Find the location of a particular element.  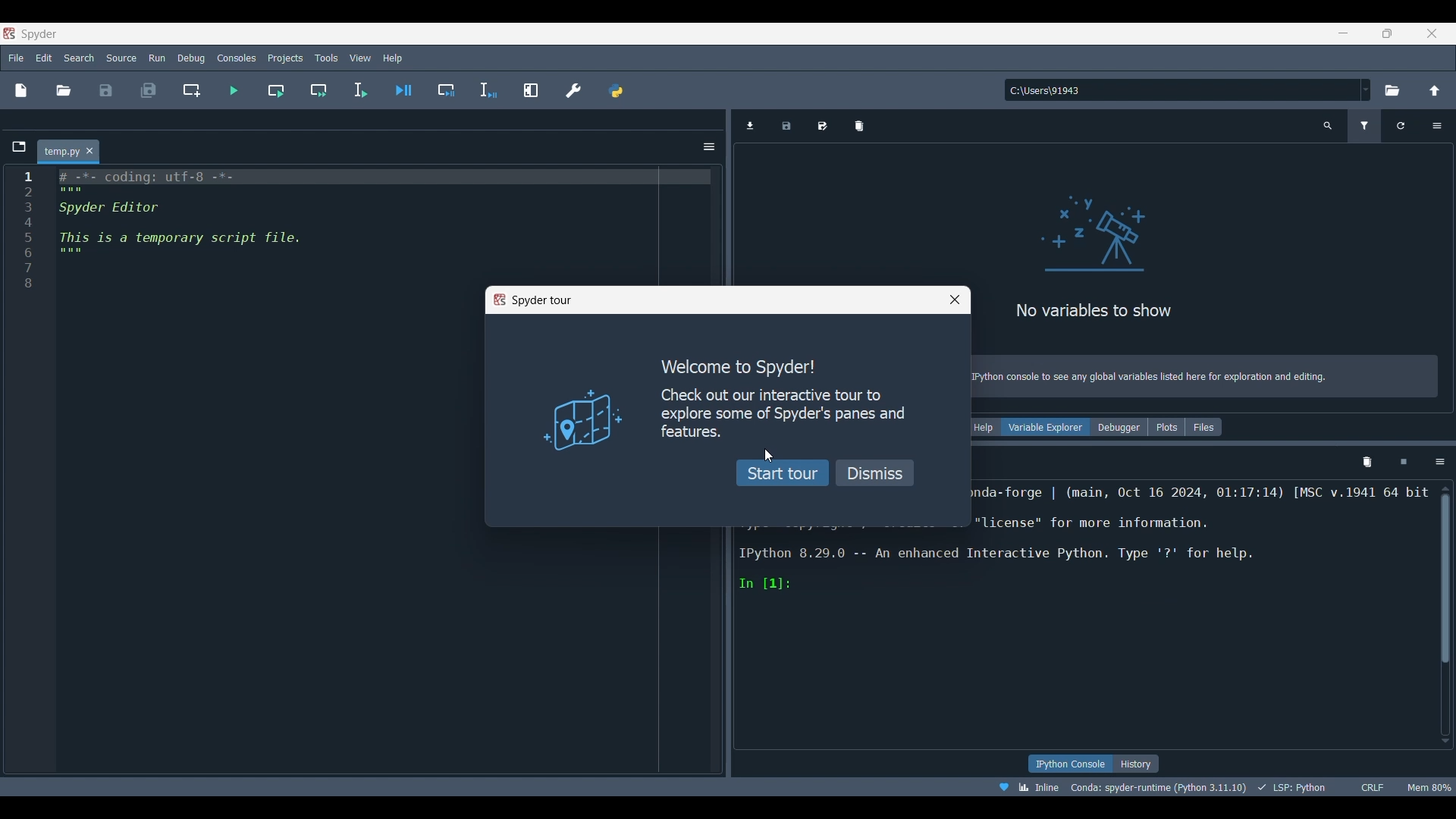

Close interface is located at coordinates (1432, 33).